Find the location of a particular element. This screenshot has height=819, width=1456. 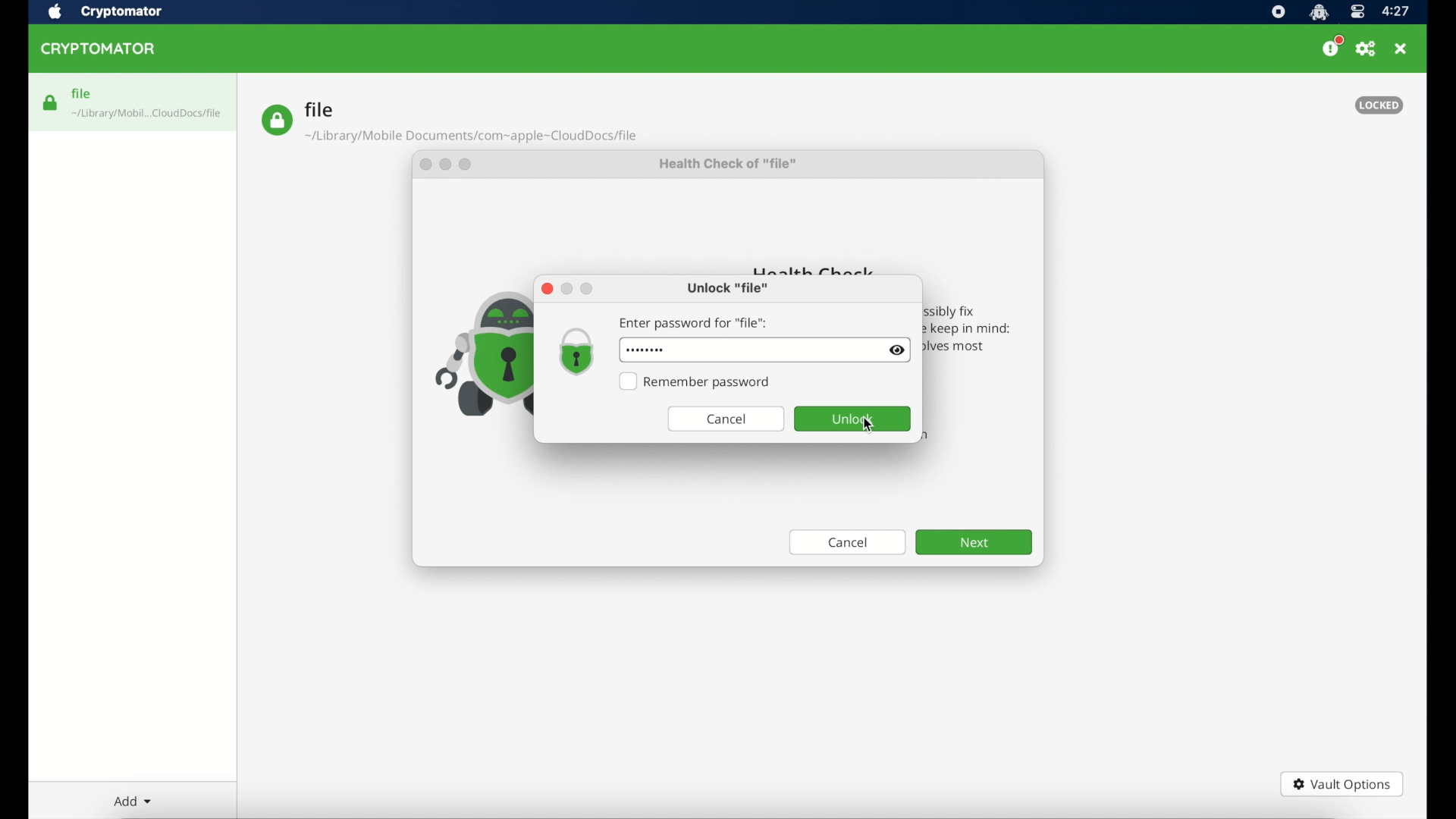

maximize is located at coordinates (588, 290).